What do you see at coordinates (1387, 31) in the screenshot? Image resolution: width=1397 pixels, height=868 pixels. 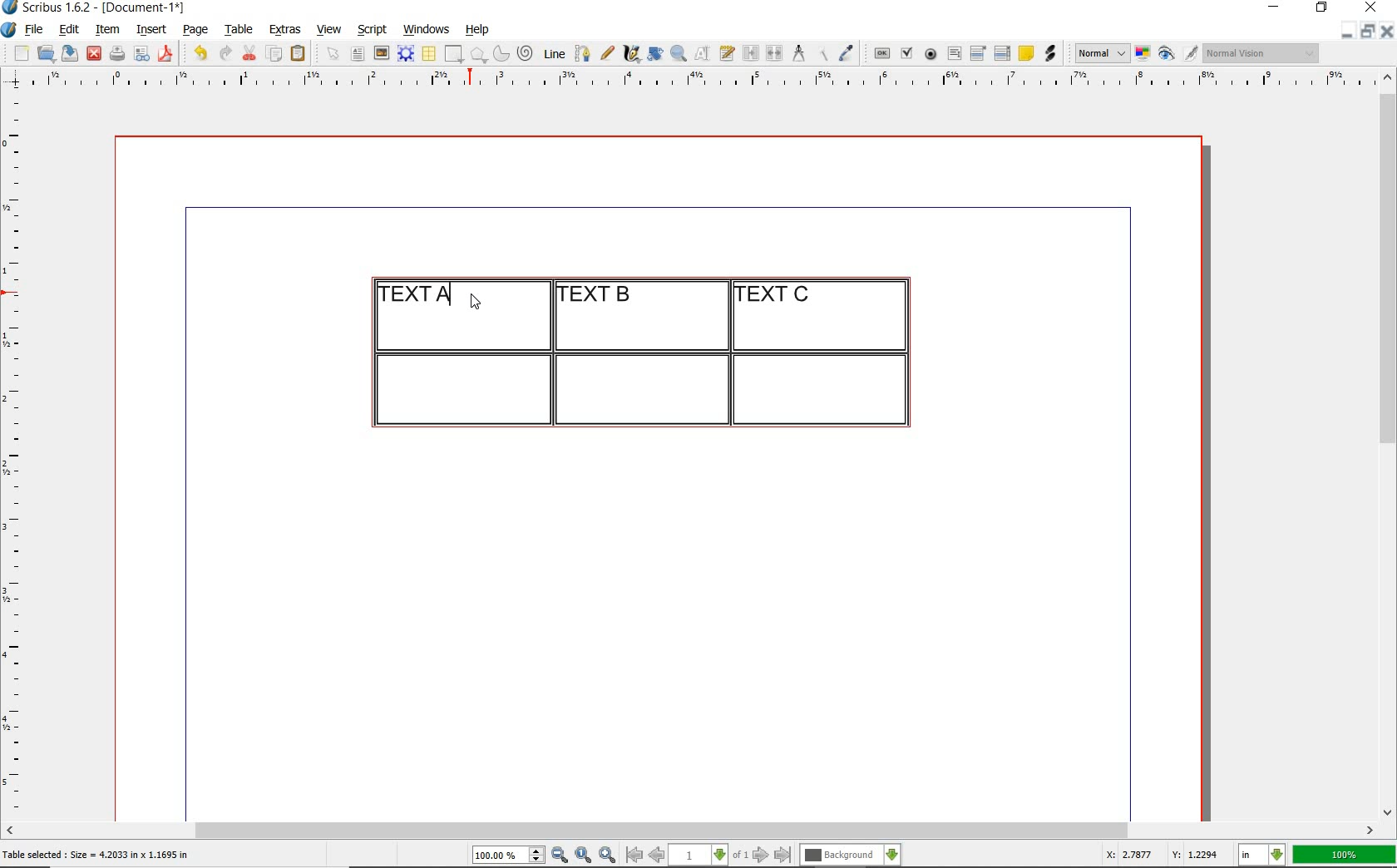 I see `close` at bounding box center [1387, 31].